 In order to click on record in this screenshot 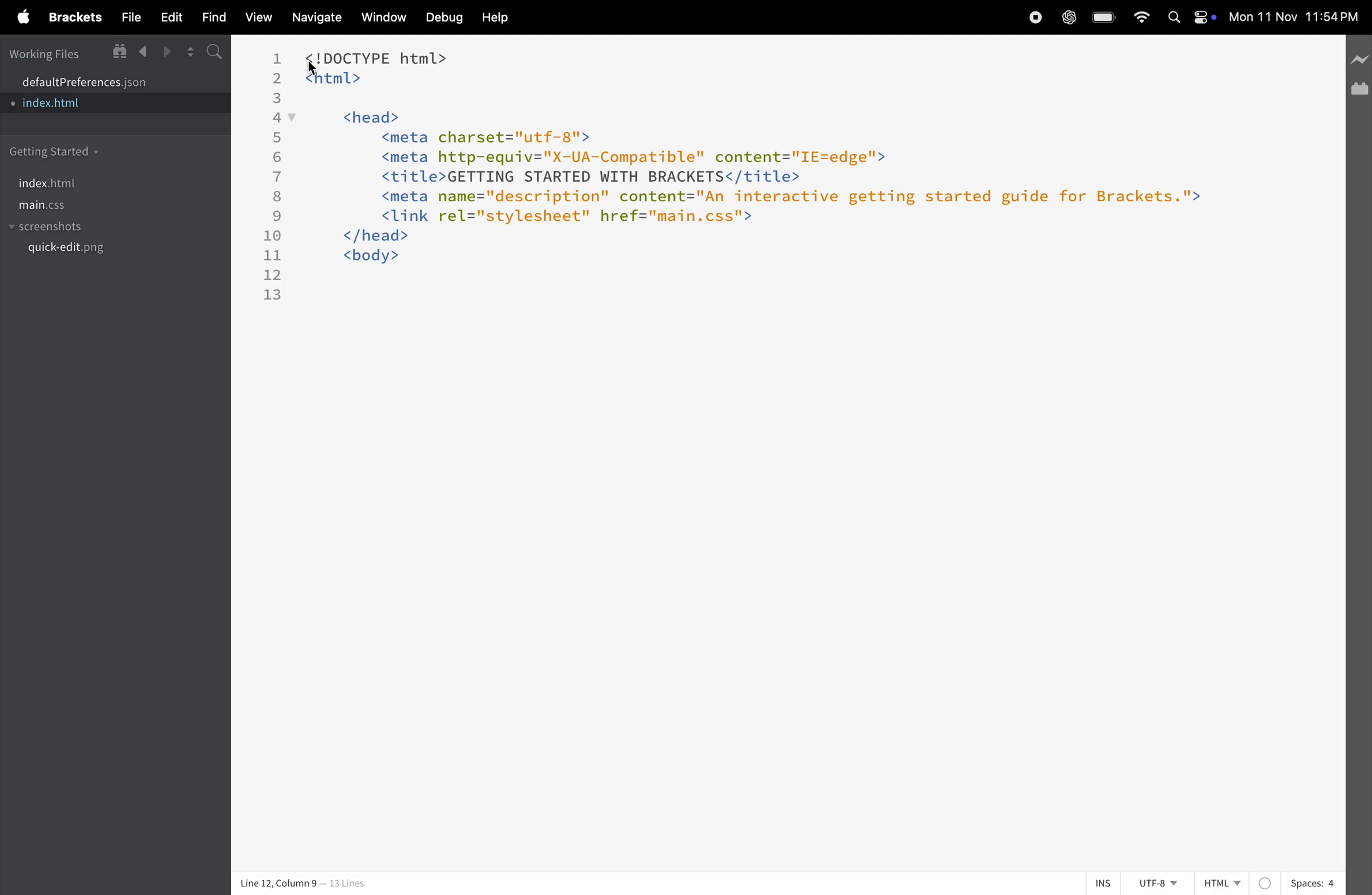, I will do `click(1036, 17)`.